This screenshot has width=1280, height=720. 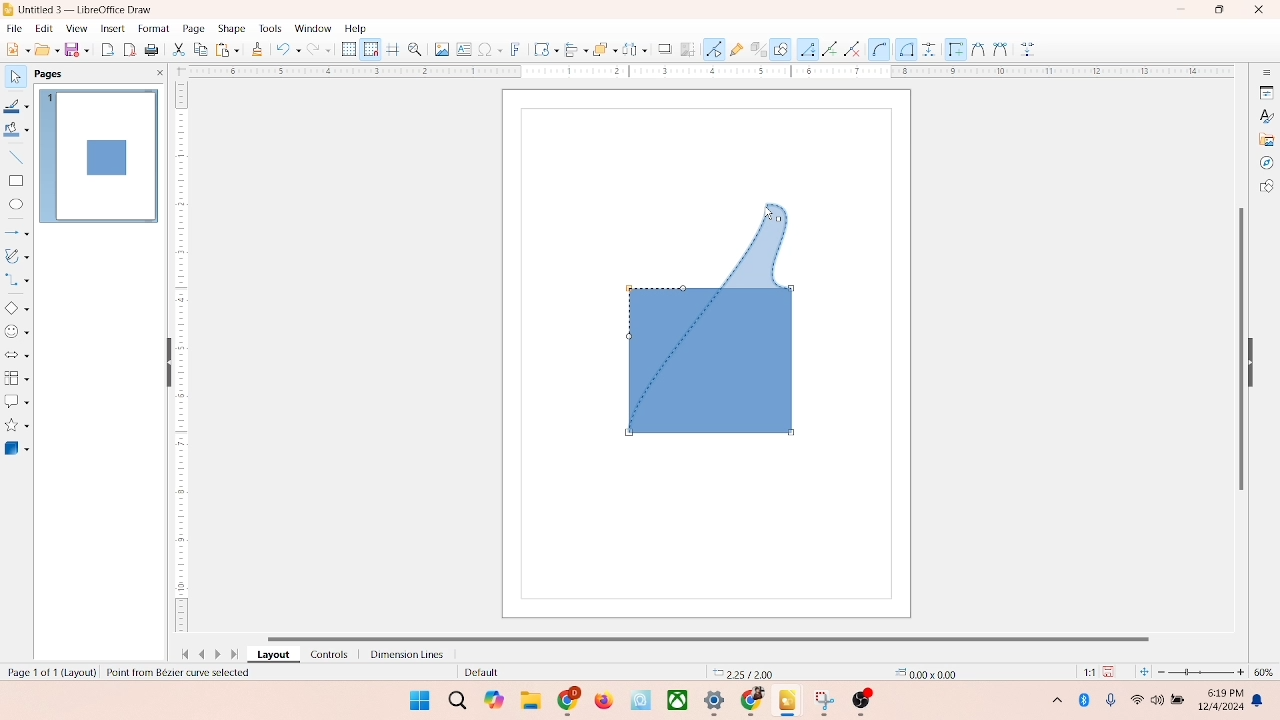 What do you see at coordinates (72, 28) in the screenshot?
I see `view` at bounding box center [72, 28].